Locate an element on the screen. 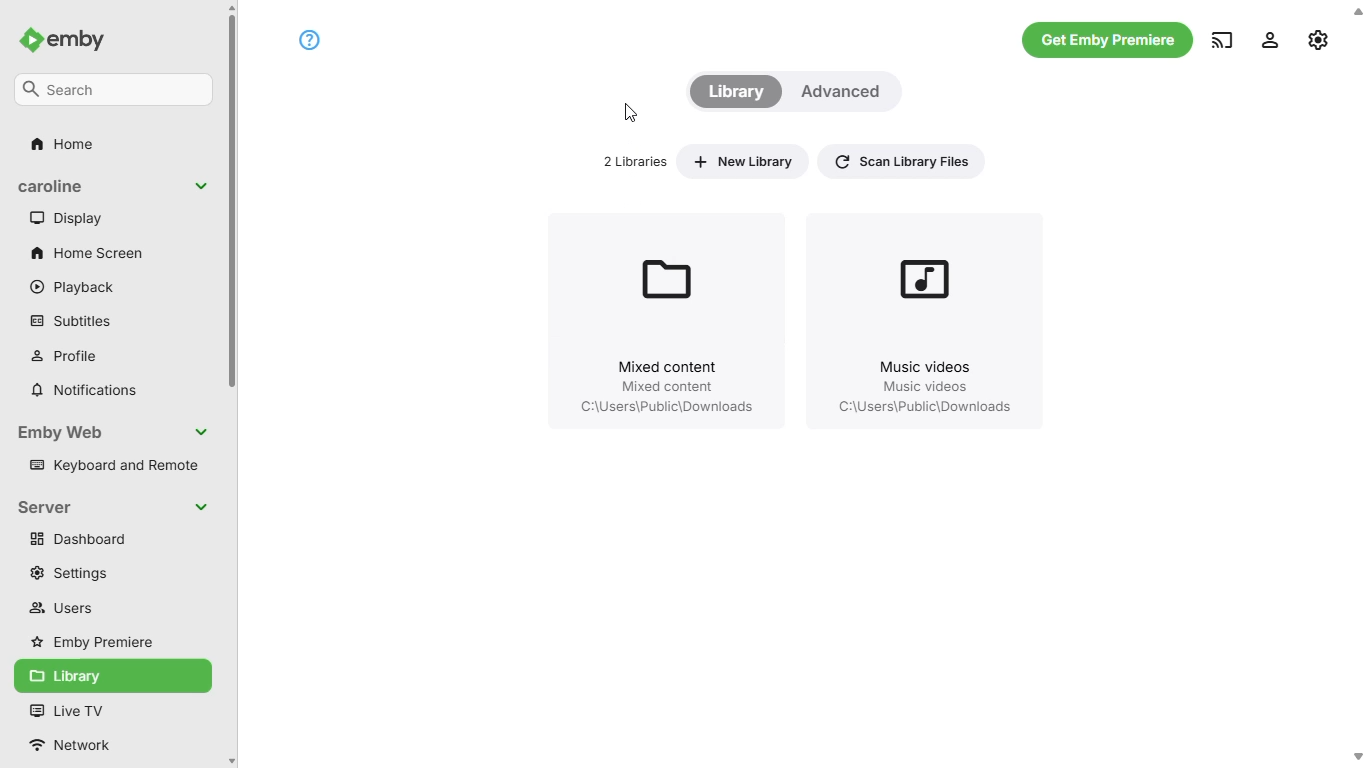  Mixed content
Mixed content
C:\Users\Public\Downloads is located at coordinates (666, 319).